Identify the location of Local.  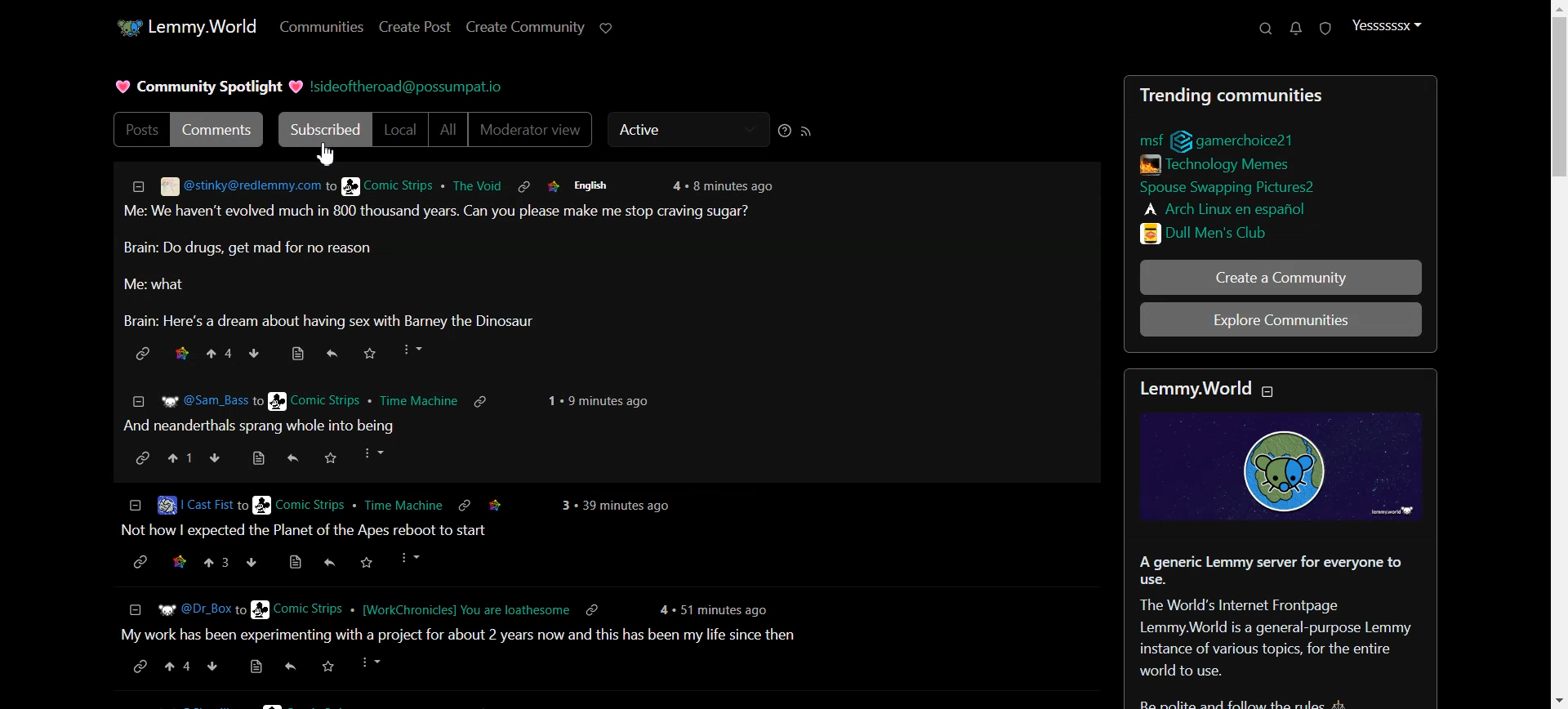
(400, 130).